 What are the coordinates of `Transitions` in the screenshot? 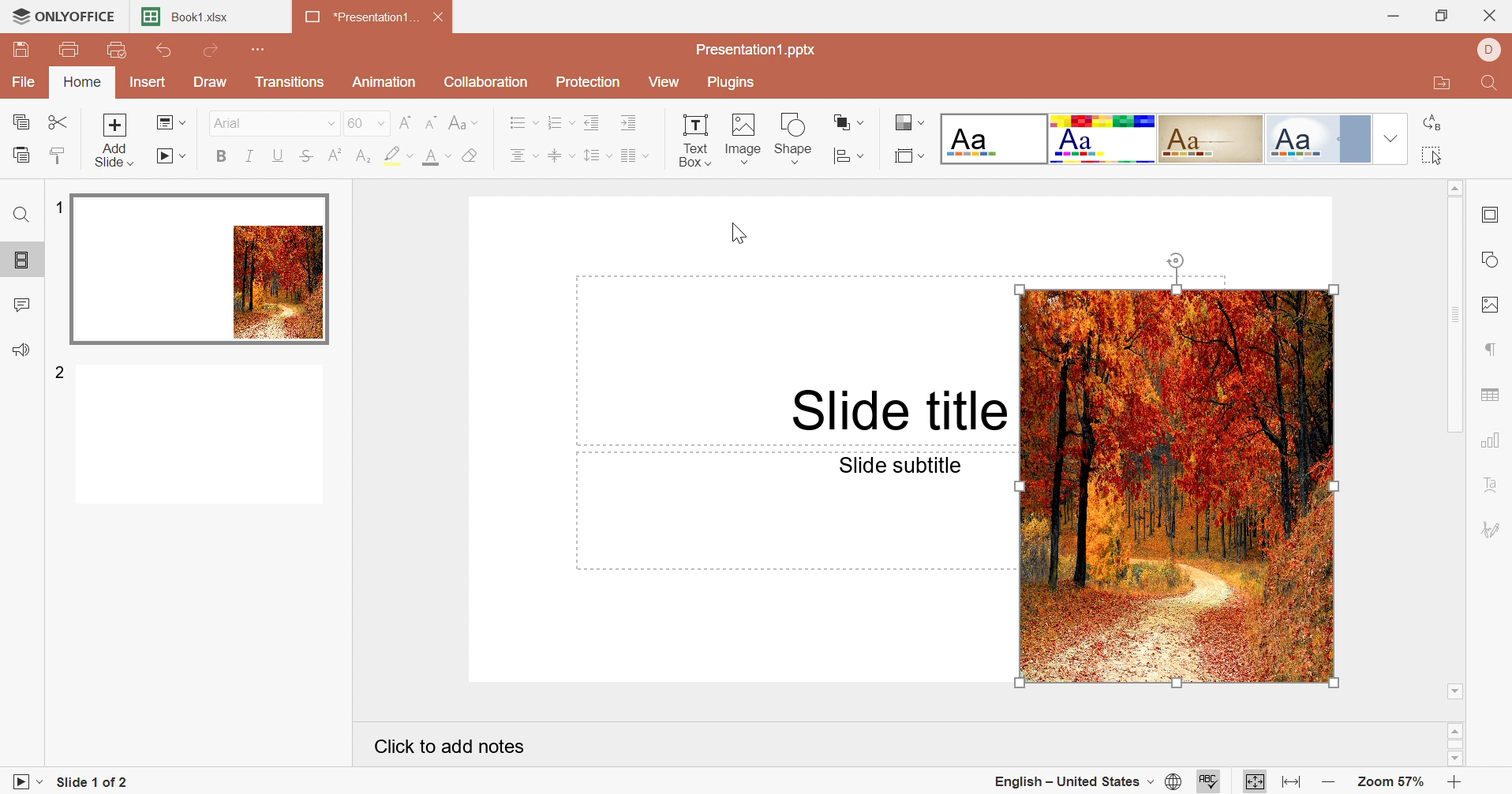 It's located at (291, 83).